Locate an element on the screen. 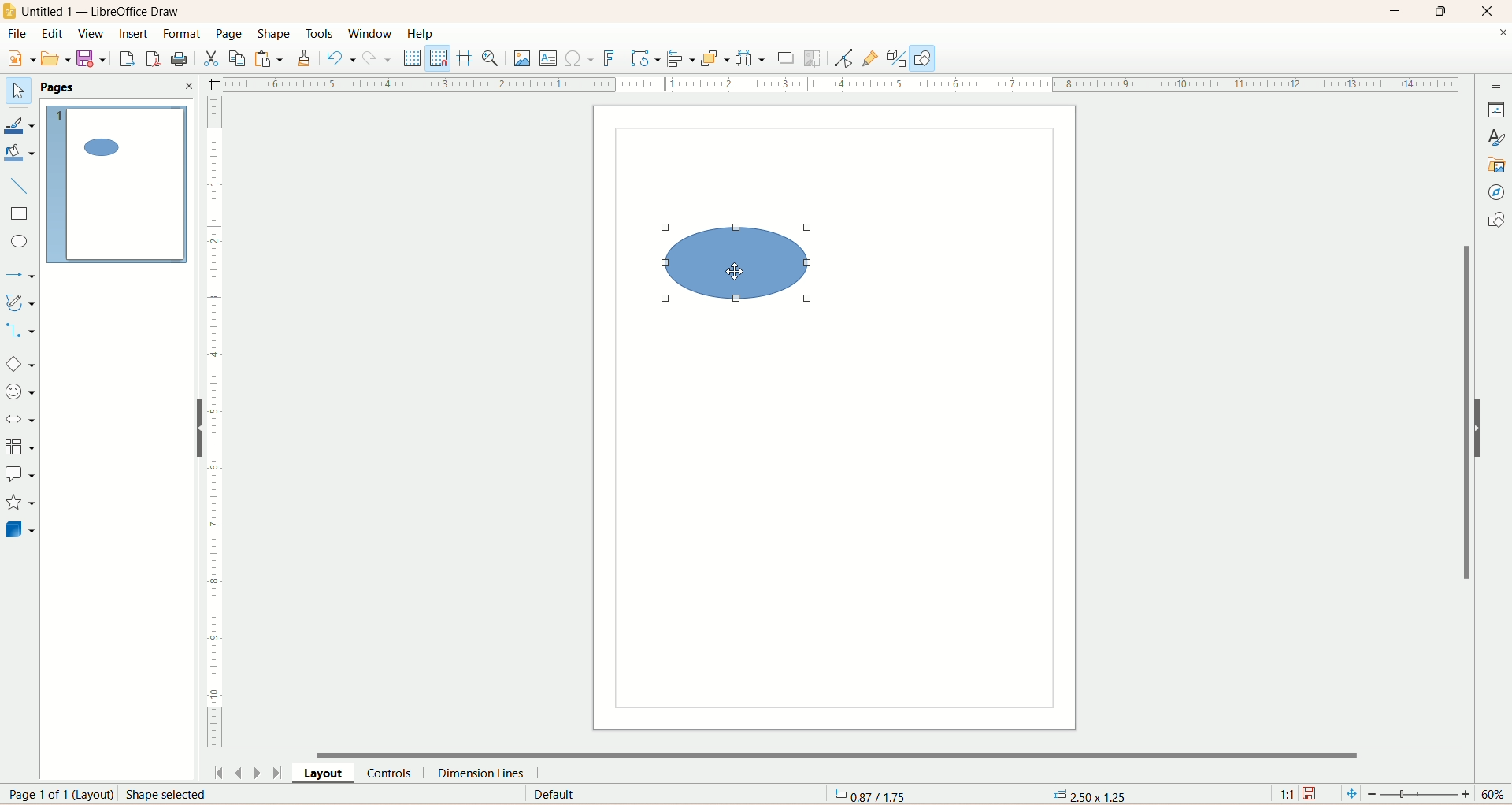 Image resolution: width=1512 pixels, height=805 pixels. open is located at coordinates (54, 57).